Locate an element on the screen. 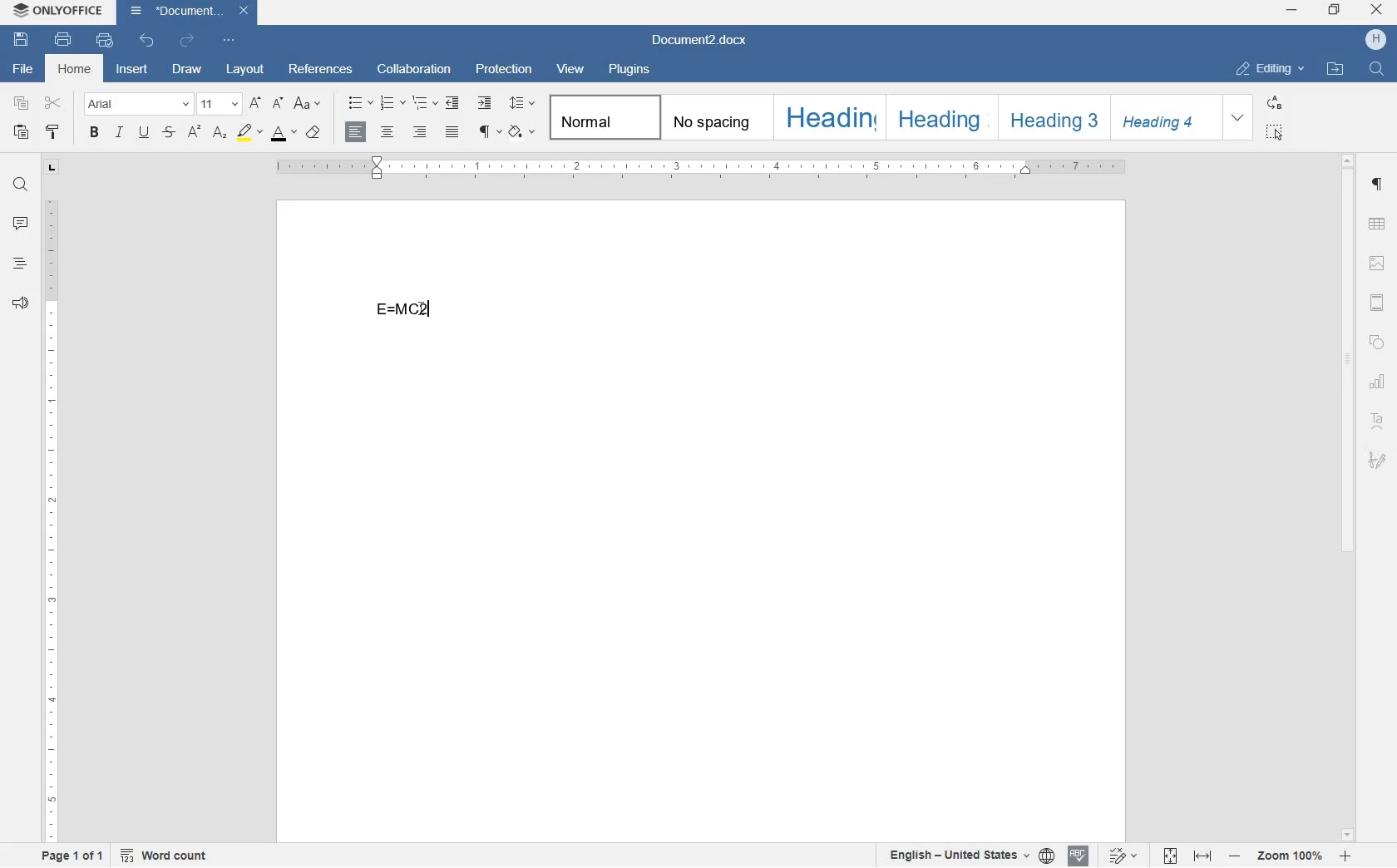  align right is located at coordinates (419, 133).